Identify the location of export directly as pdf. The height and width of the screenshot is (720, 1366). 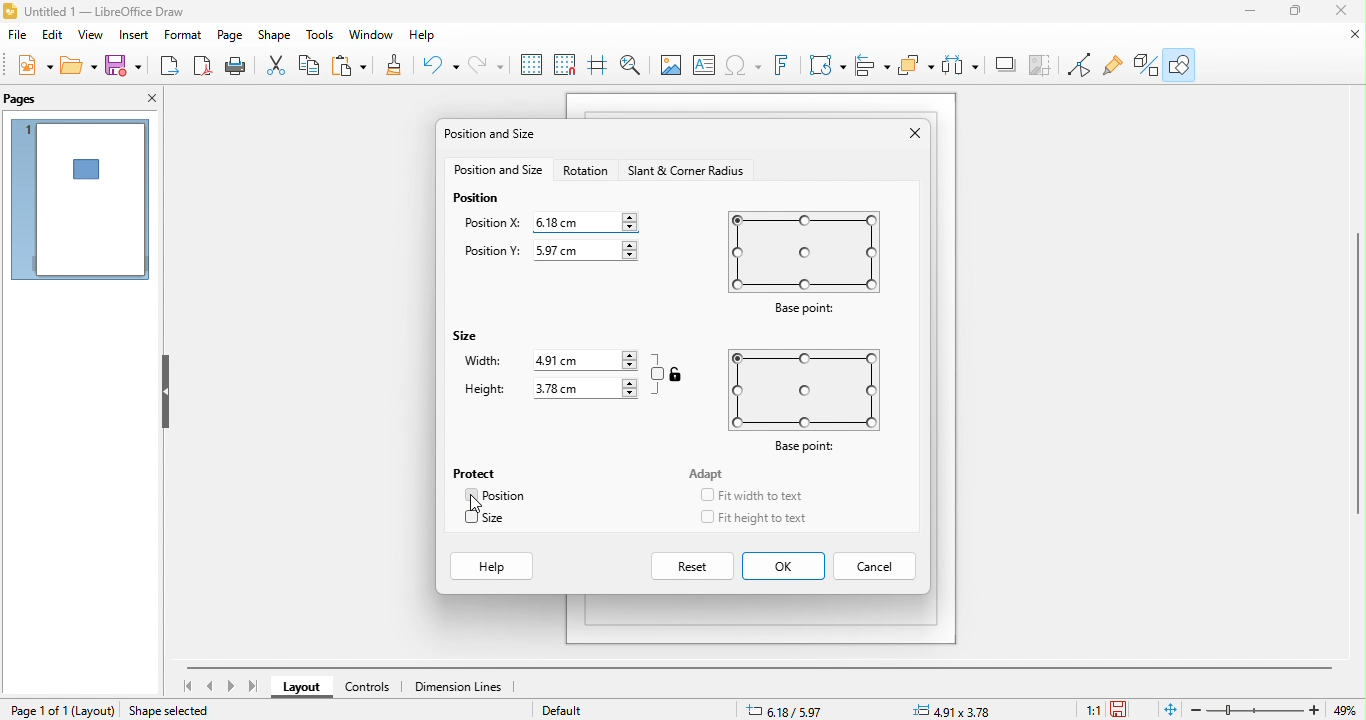
(199, 66).